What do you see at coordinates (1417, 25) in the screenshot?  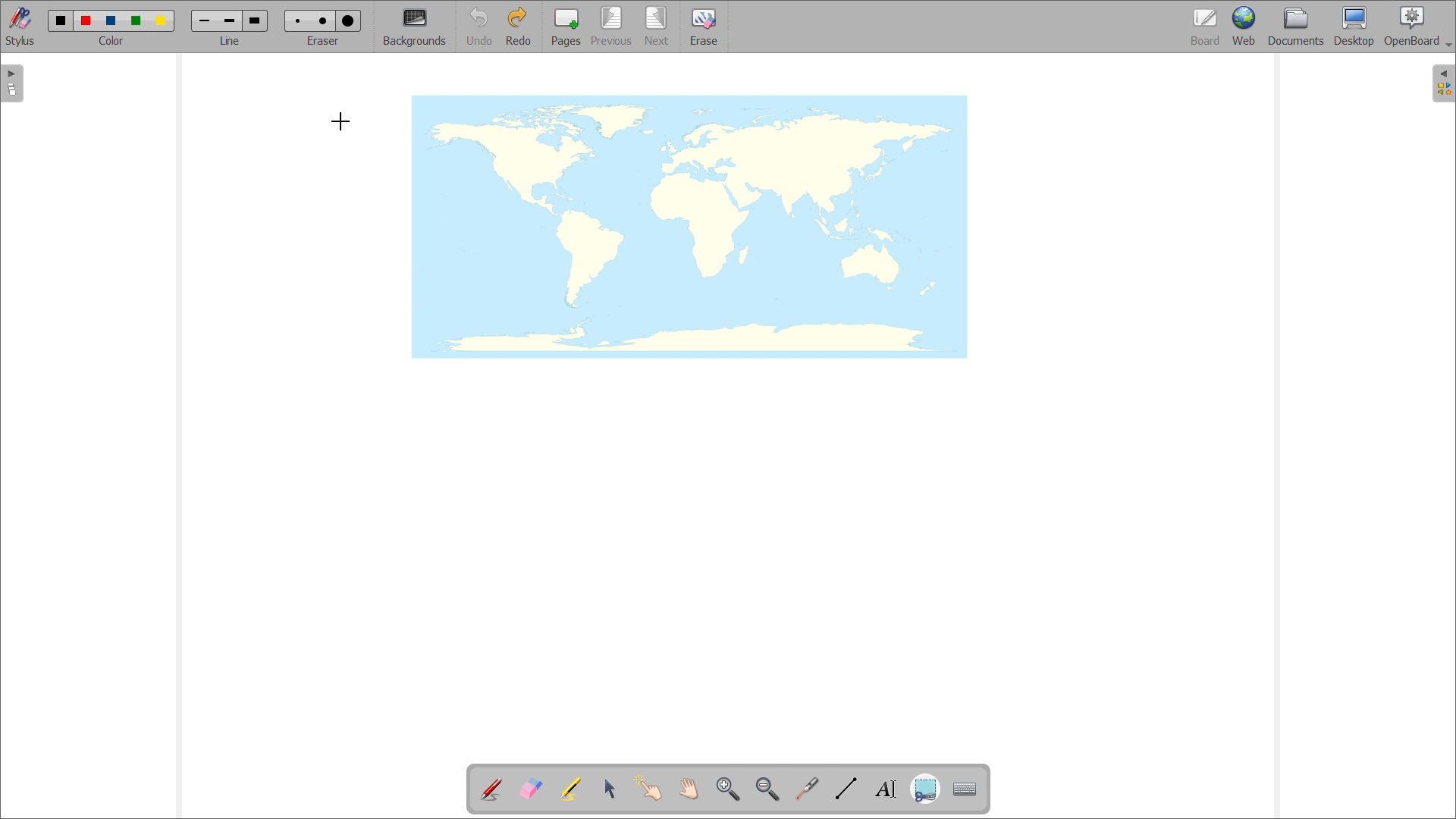 I see `openboard settings` at bounding box center [1417, 25].